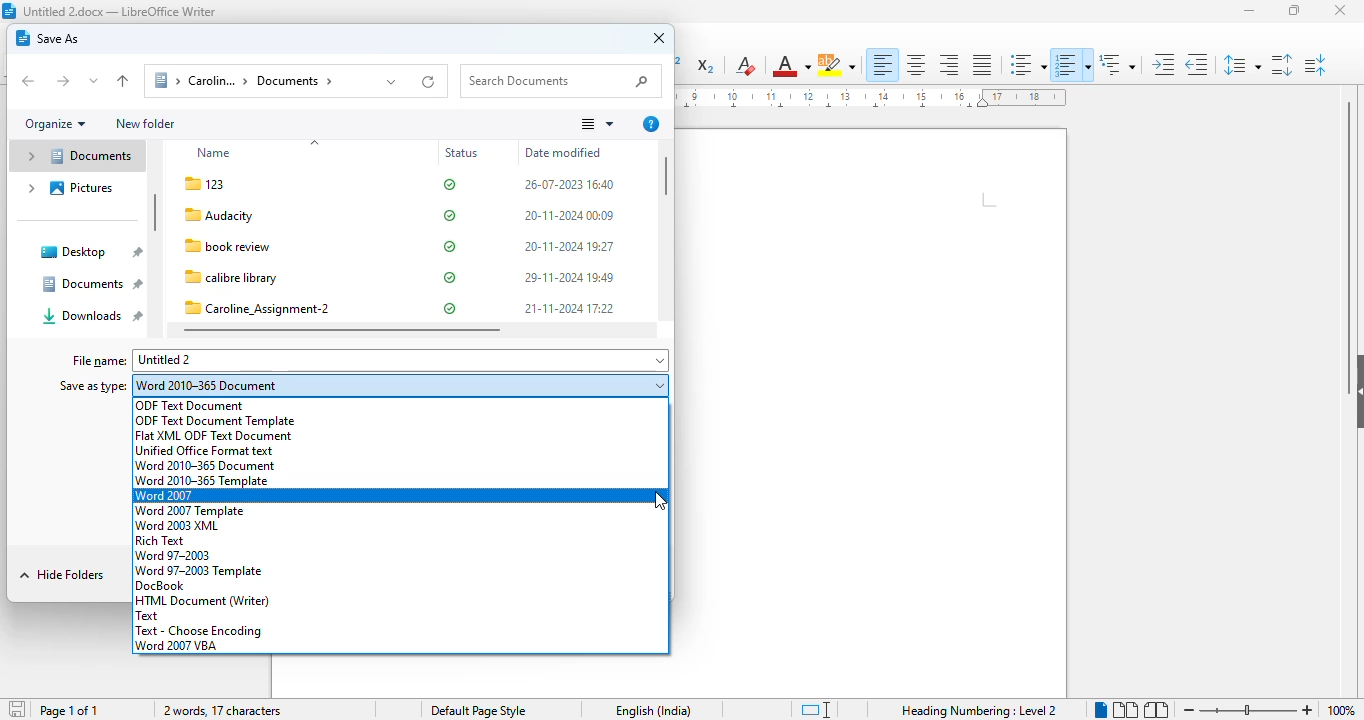 The image size is (1364, 720). I want to click on HTML document (writer), so click(205, 602).